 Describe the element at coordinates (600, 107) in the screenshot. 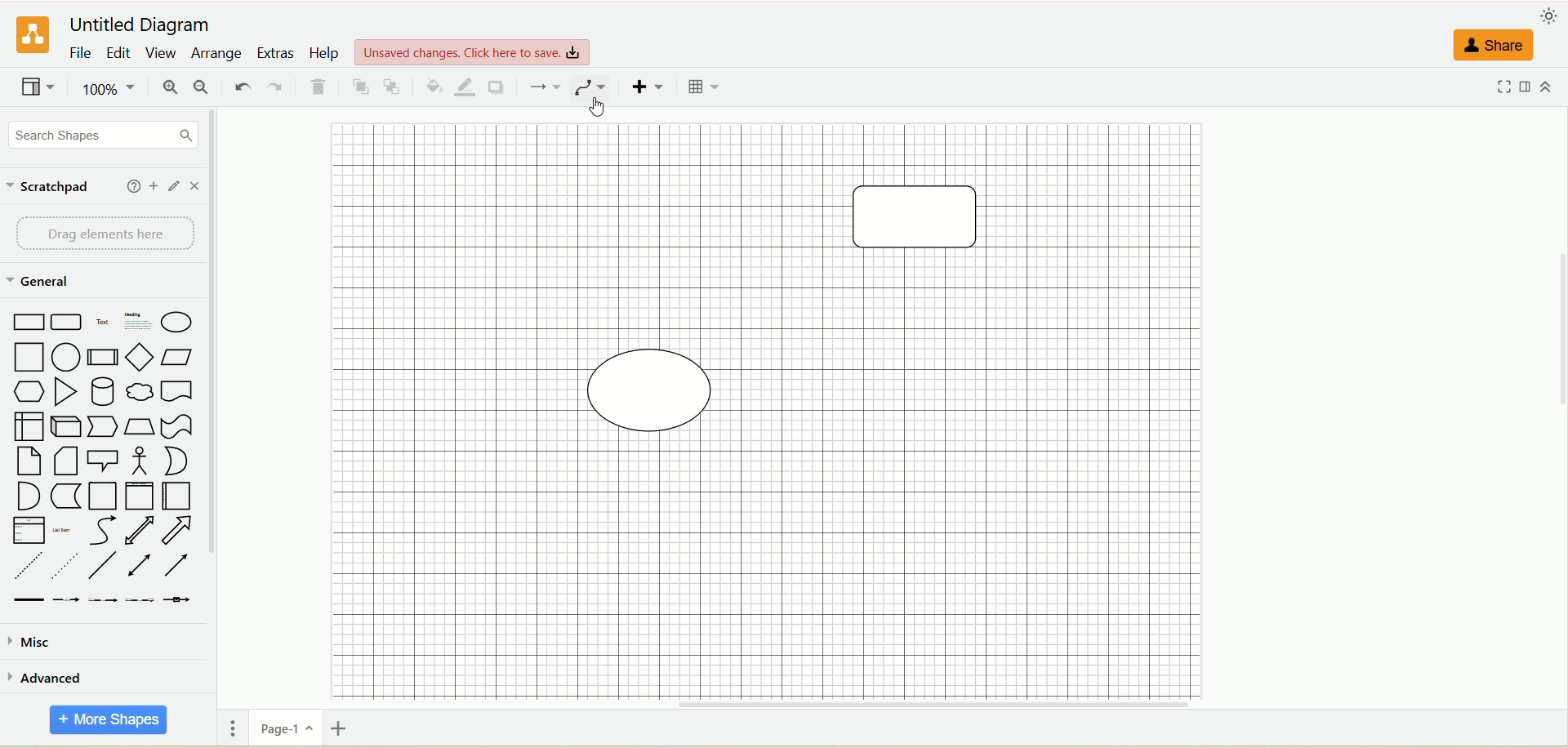

I see `cursor` at that location.